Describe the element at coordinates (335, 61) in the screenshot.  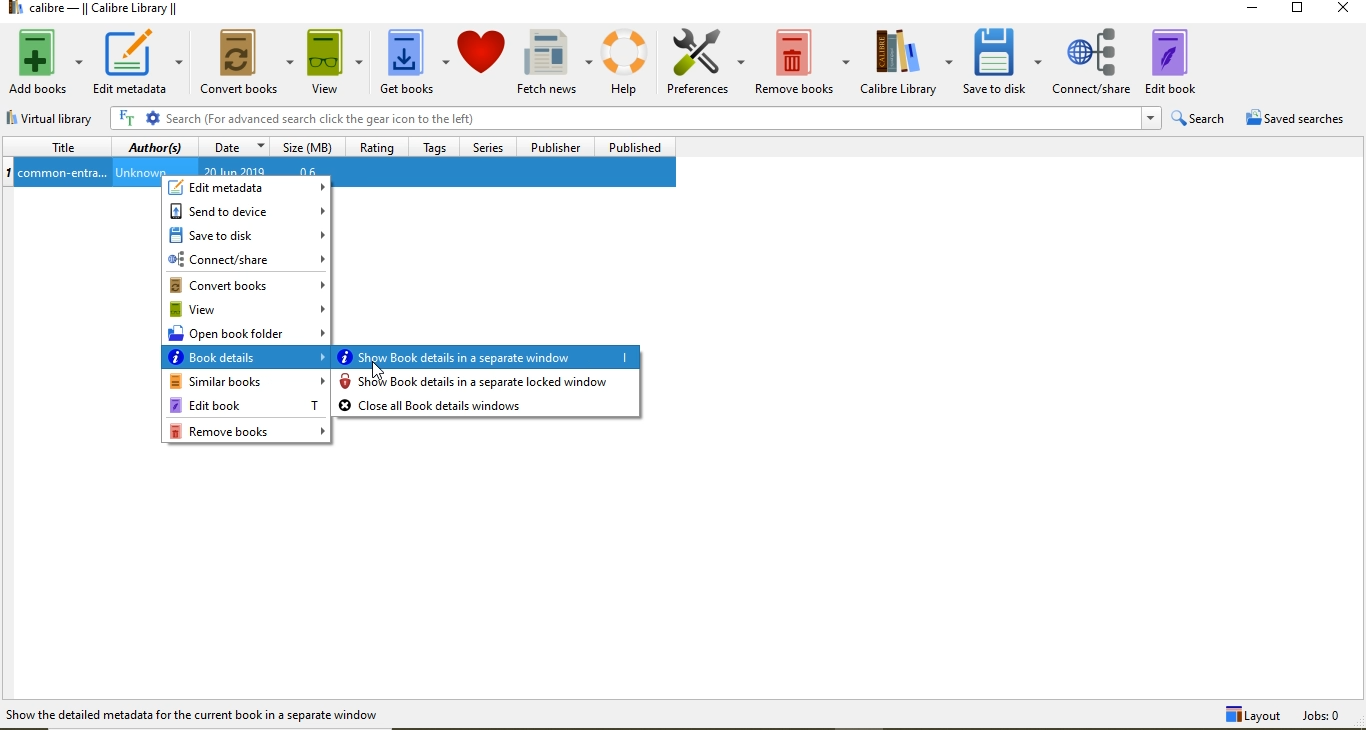
I see `view` at that location.